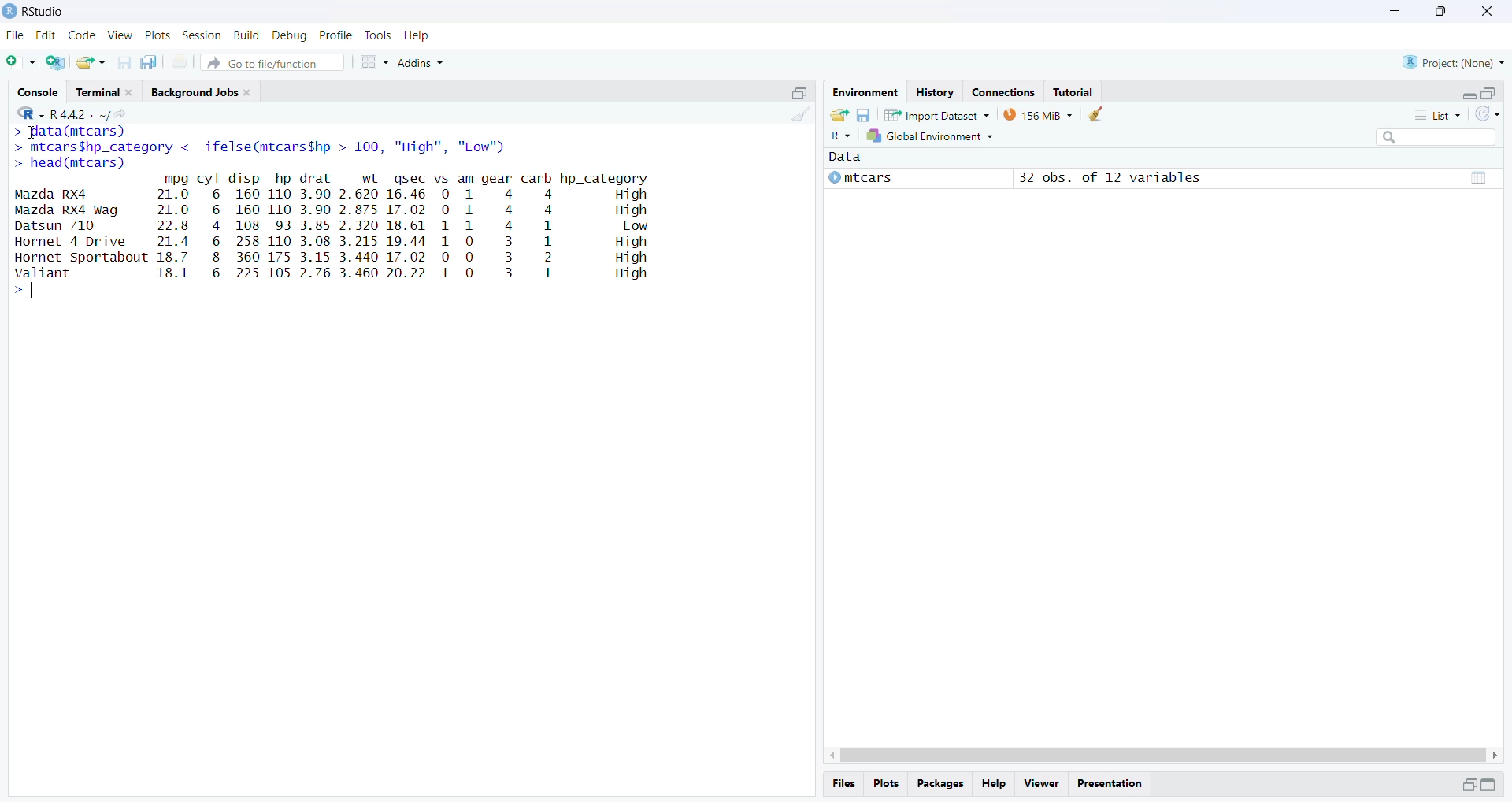  What do you see at coordinates (352, 217) in the screenshot?
I see `> pata(mtcars)
> mtcarsShp_category <- ifelse(mtcarsshp > 100, "High", "Low")
> head(mtcars)

mpg cyl disp hp drat wt gsec vs am gear carb hp_category
Mazda RX4 21.0 6 160 110 3.90 2.620 16.46 0 1 4 4 High
Mazda RX4 wag 21.0 6 160 110 3.90 2.875 17.02 0 1 4 4 High
Datsun 710 22.8 4 108 93 3.852.320 18.61 1 1 4 1 Low
Hornet 4 Drive 21.4 6 258 110 3.08 3.215 19.44 1 © 3 1 High
Hornet Sportabout 18.7 8 360 175 3.15 3.440 17.02 0 0 3 2 High
Laan 18.1 6 225105 2.76 3.460 20.22 1 © 3 1 High
>` at bounding box center [352, 217].